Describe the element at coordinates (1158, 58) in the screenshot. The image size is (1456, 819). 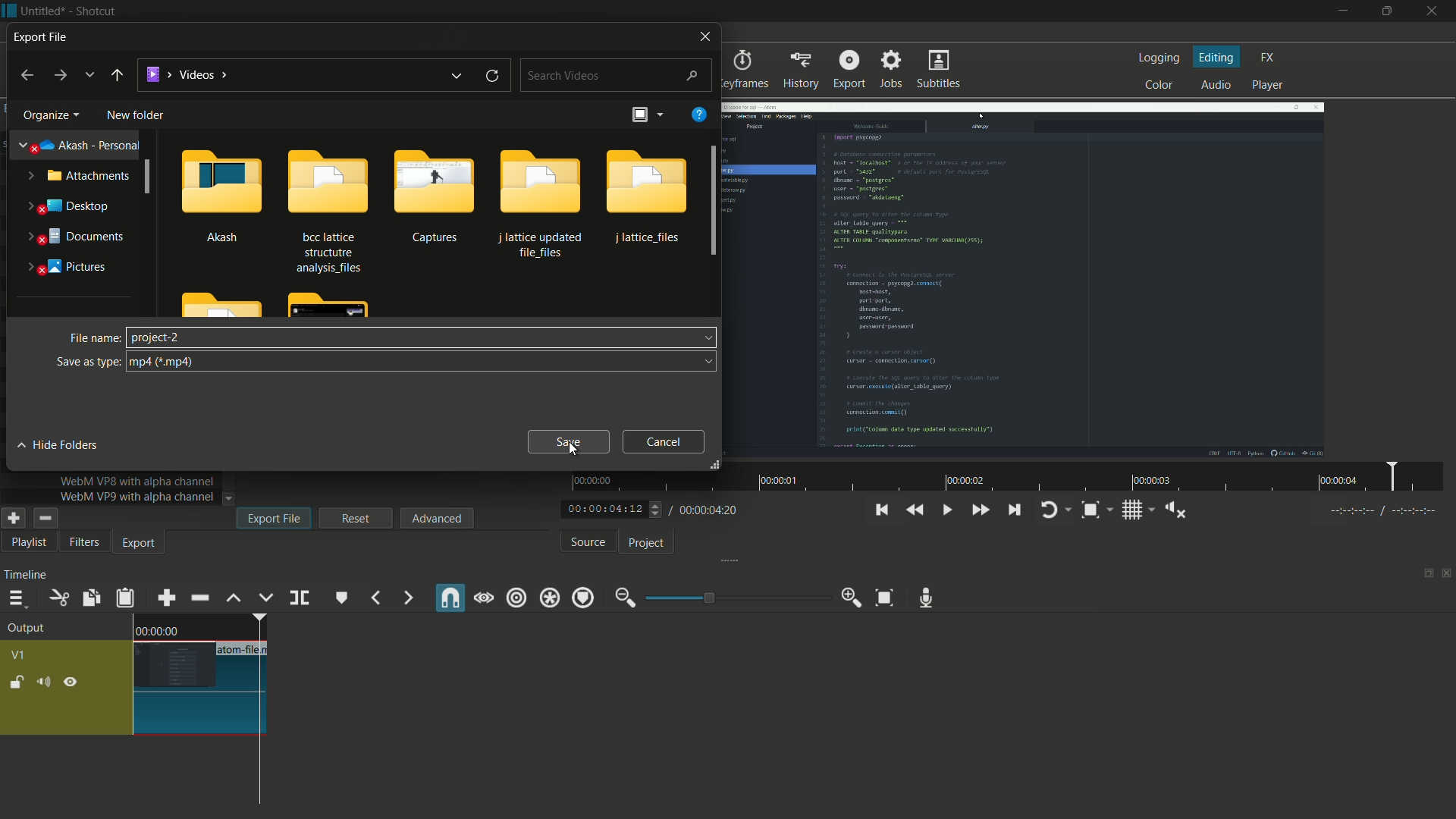
I see `logging` at that location.